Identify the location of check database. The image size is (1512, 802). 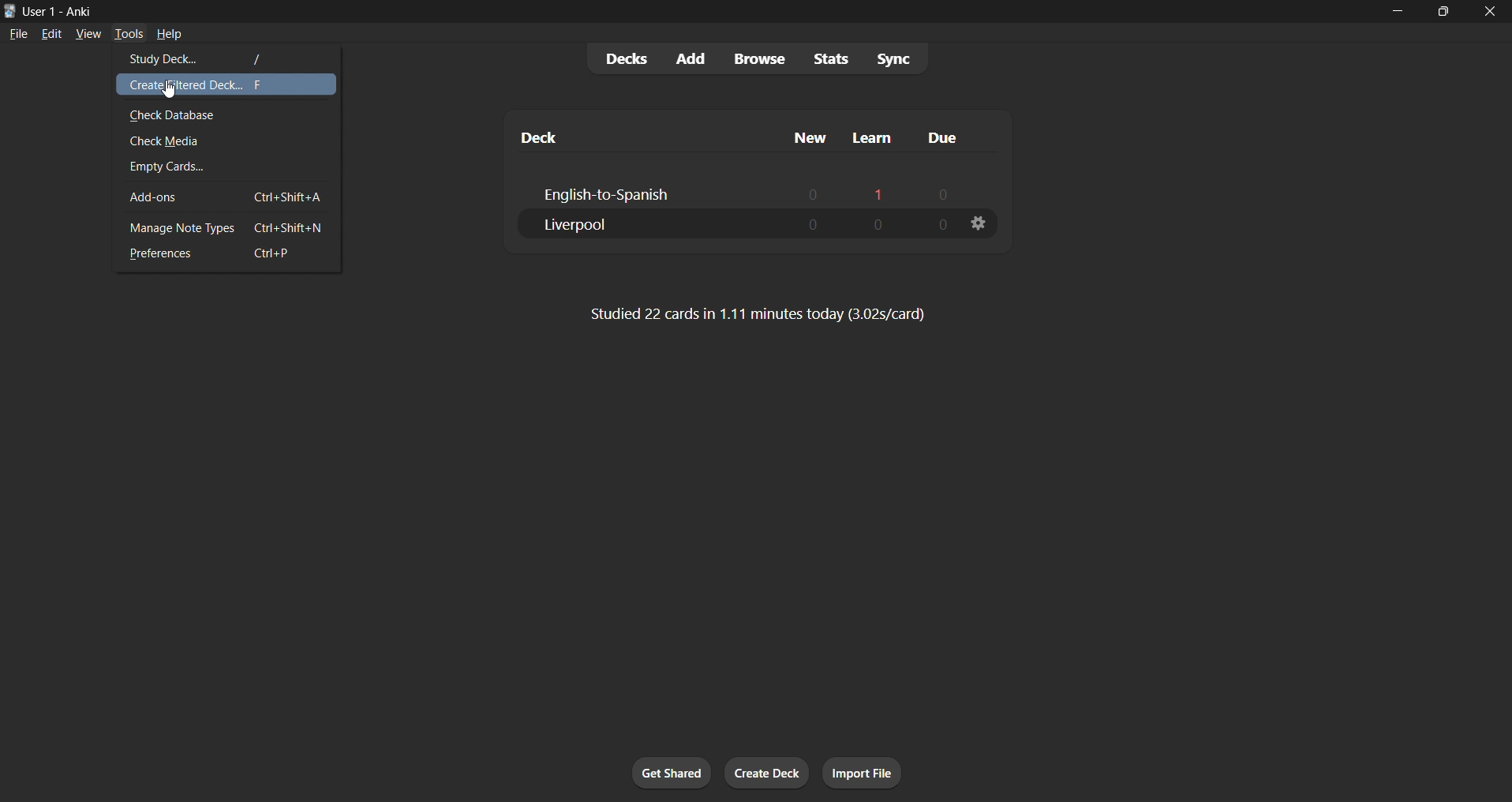
(219, 114).